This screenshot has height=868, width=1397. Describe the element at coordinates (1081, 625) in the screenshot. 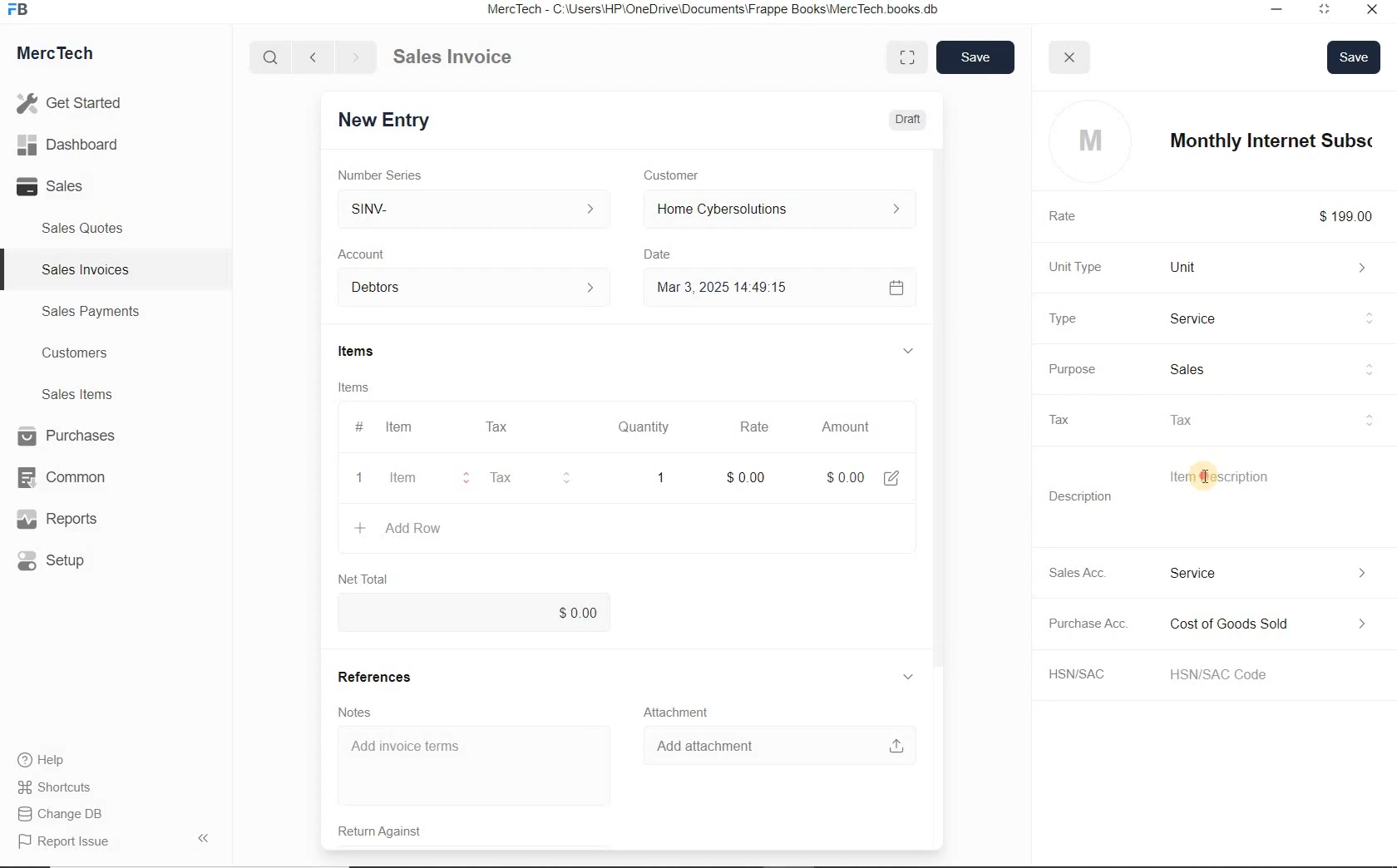

I see `Purchase Acc.` at that location.